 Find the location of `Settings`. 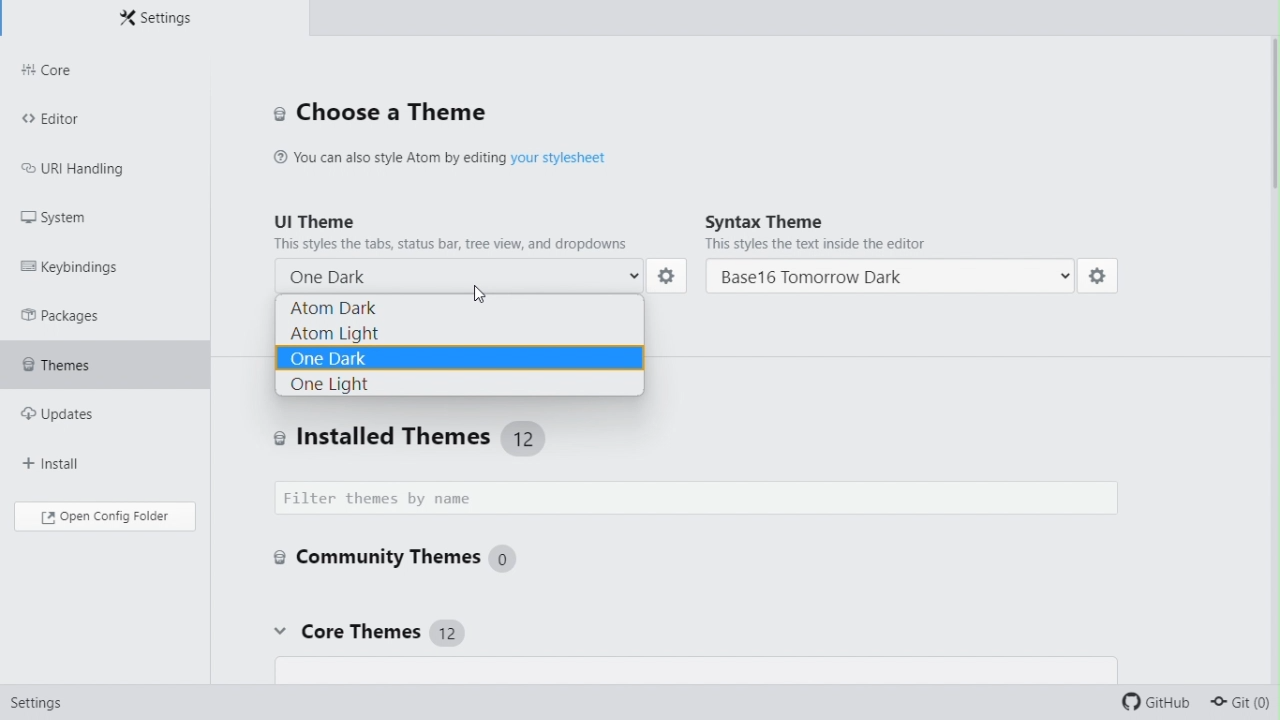

Settings is located at coordinates (31, 707).